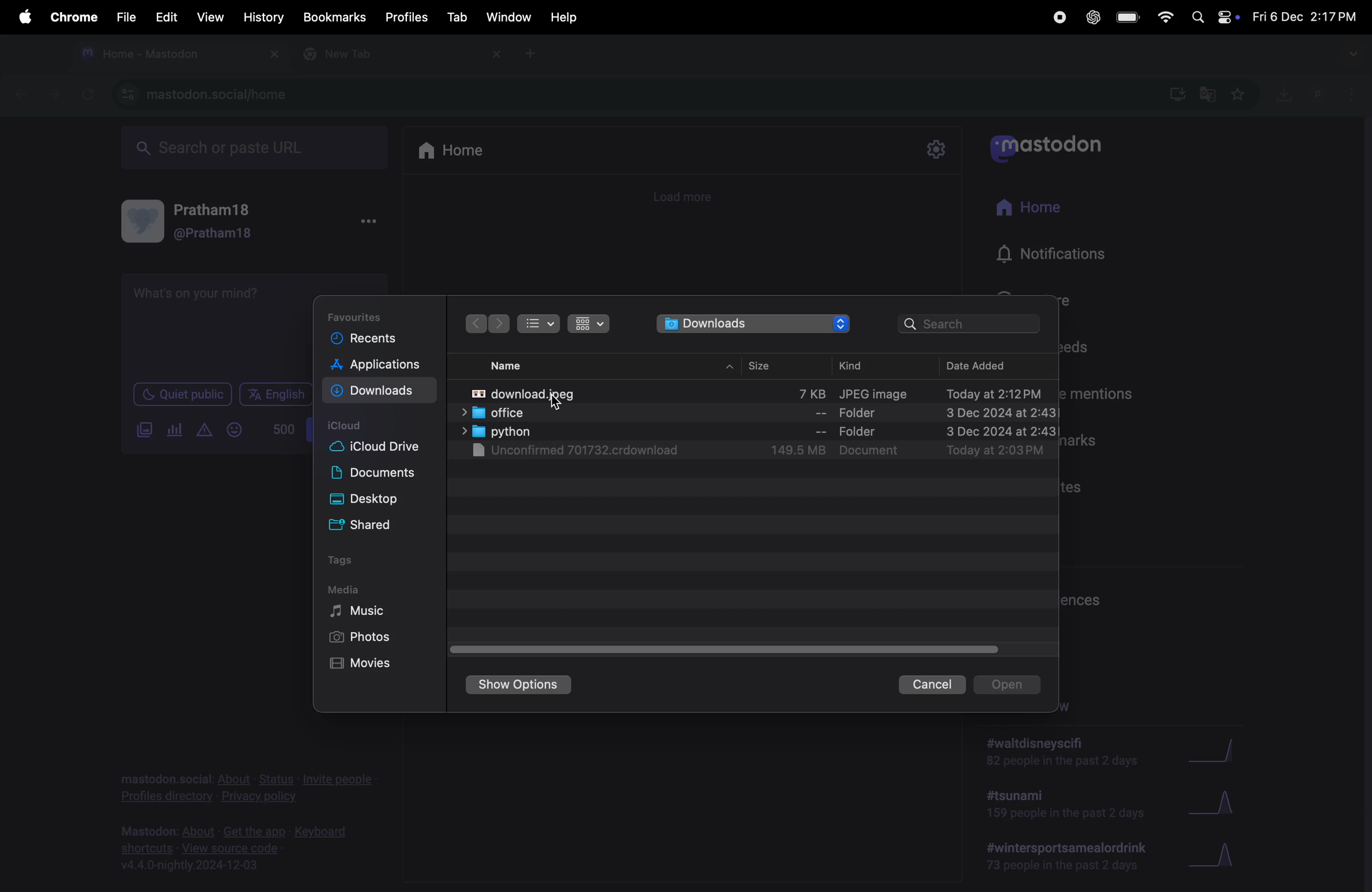  I want to click on i cloud, so click(350, 425).